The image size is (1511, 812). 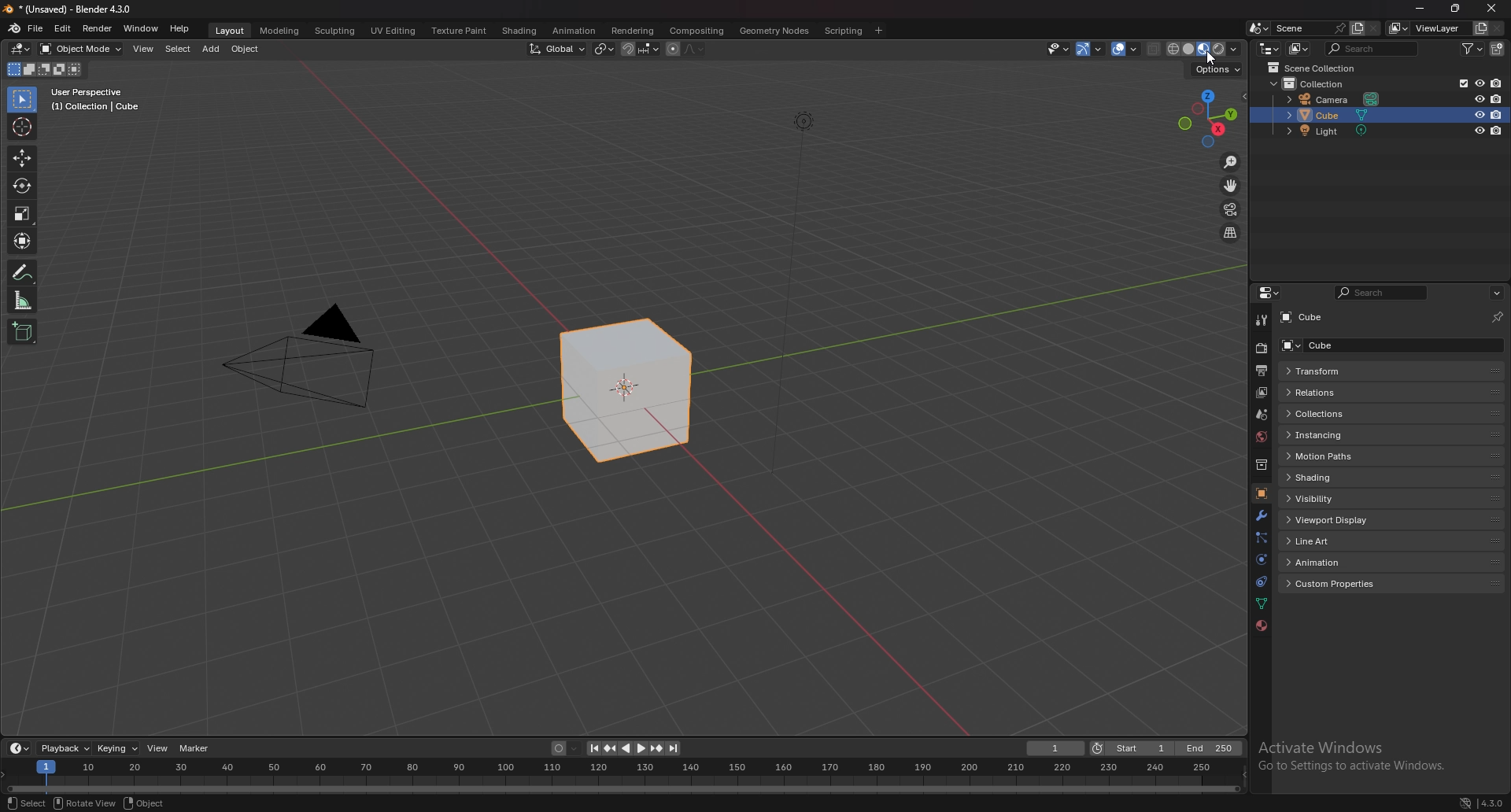 What do you see at coordinates (1262, 559) in the screenshot?
I see `physics` at bounding box center [1262, 559].